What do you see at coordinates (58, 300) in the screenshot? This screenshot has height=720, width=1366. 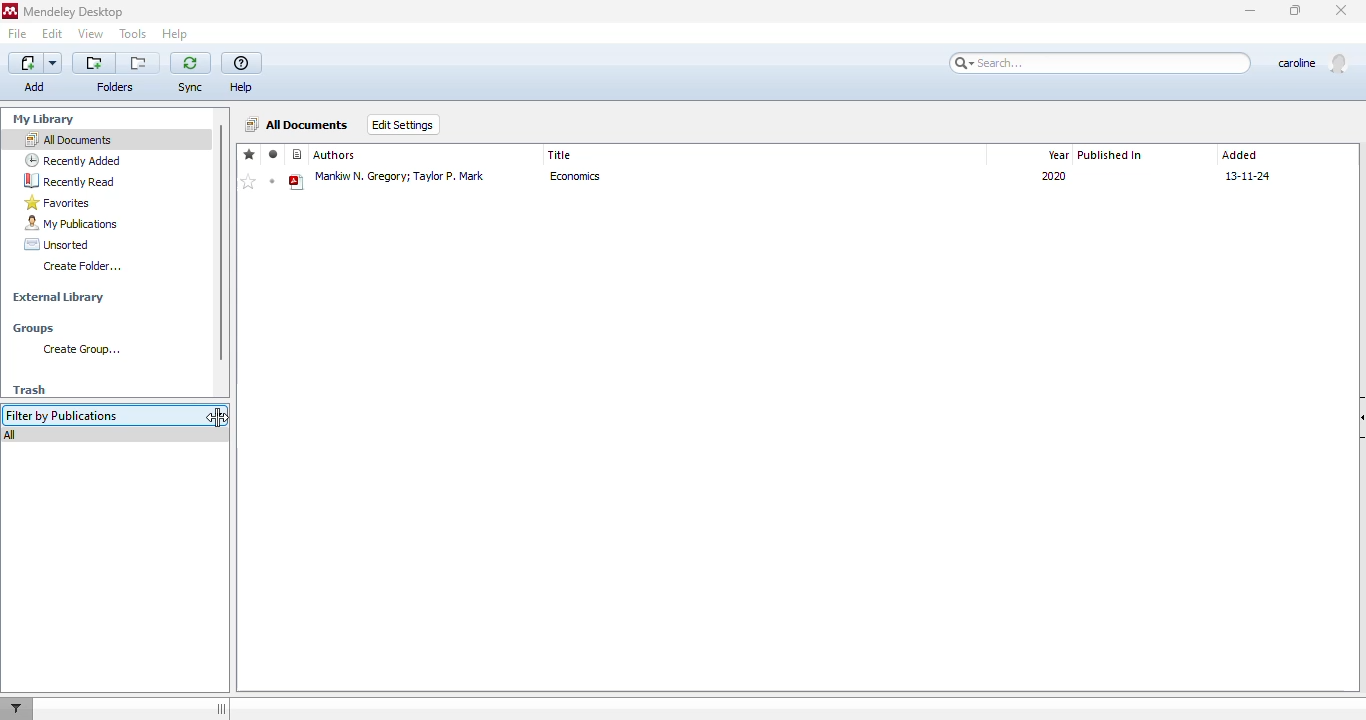 I see `external library` at bounding box center [58, 300].